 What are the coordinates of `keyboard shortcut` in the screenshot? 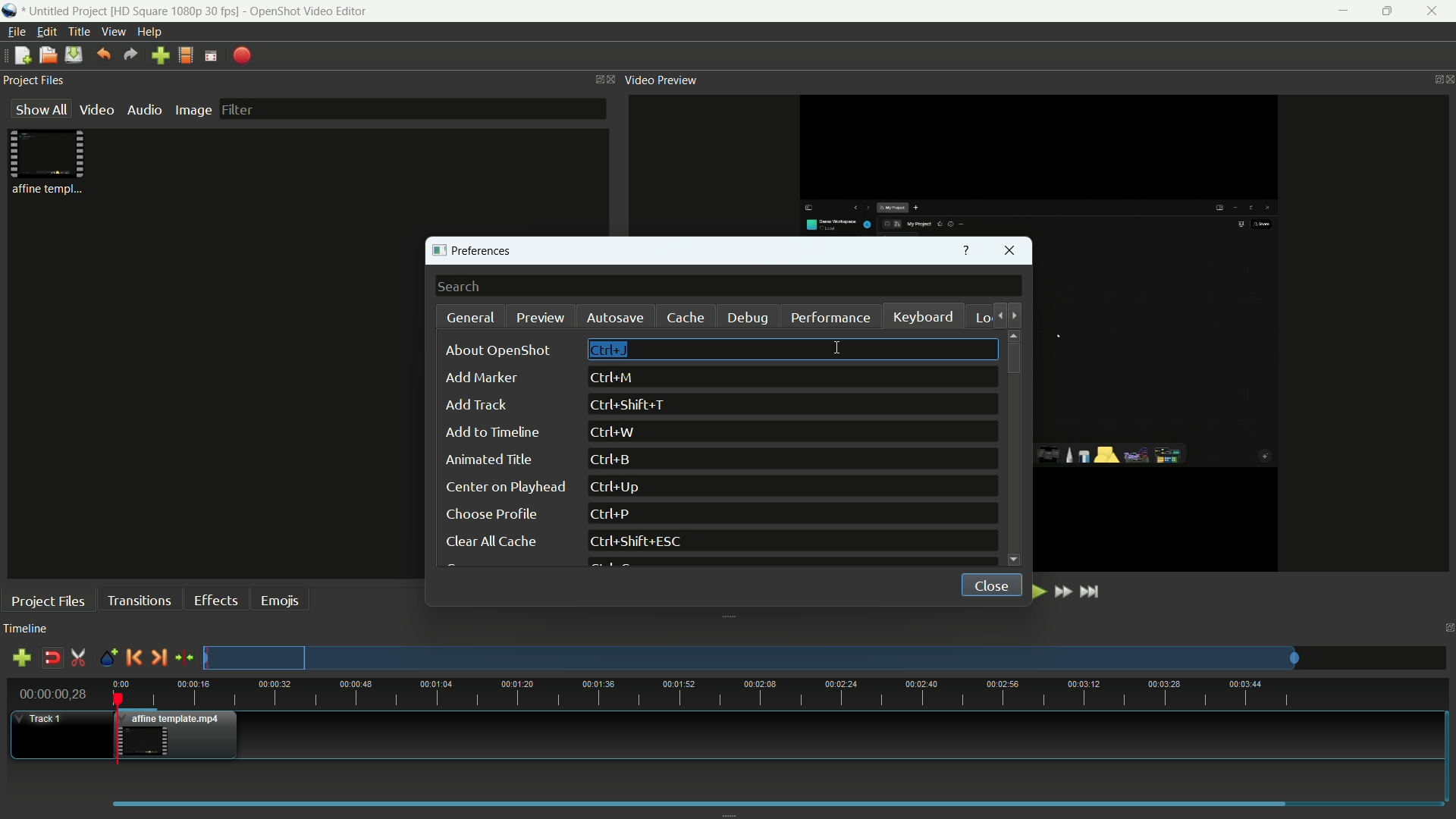 It's located at (639, 542).